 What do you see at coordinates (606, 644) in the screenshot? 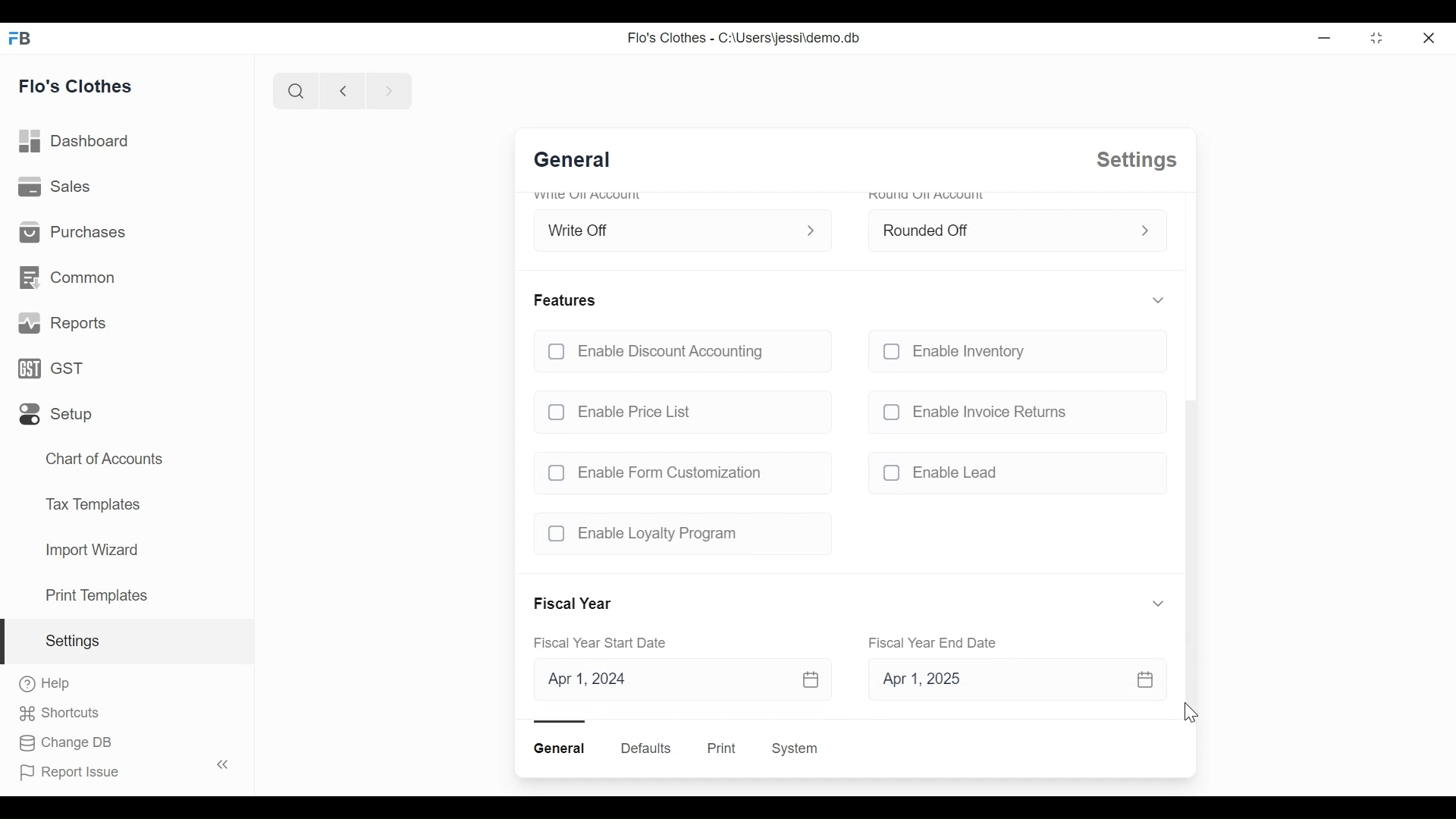
I see `Fiscal Year Start Date` at bounding box center [606, 644].